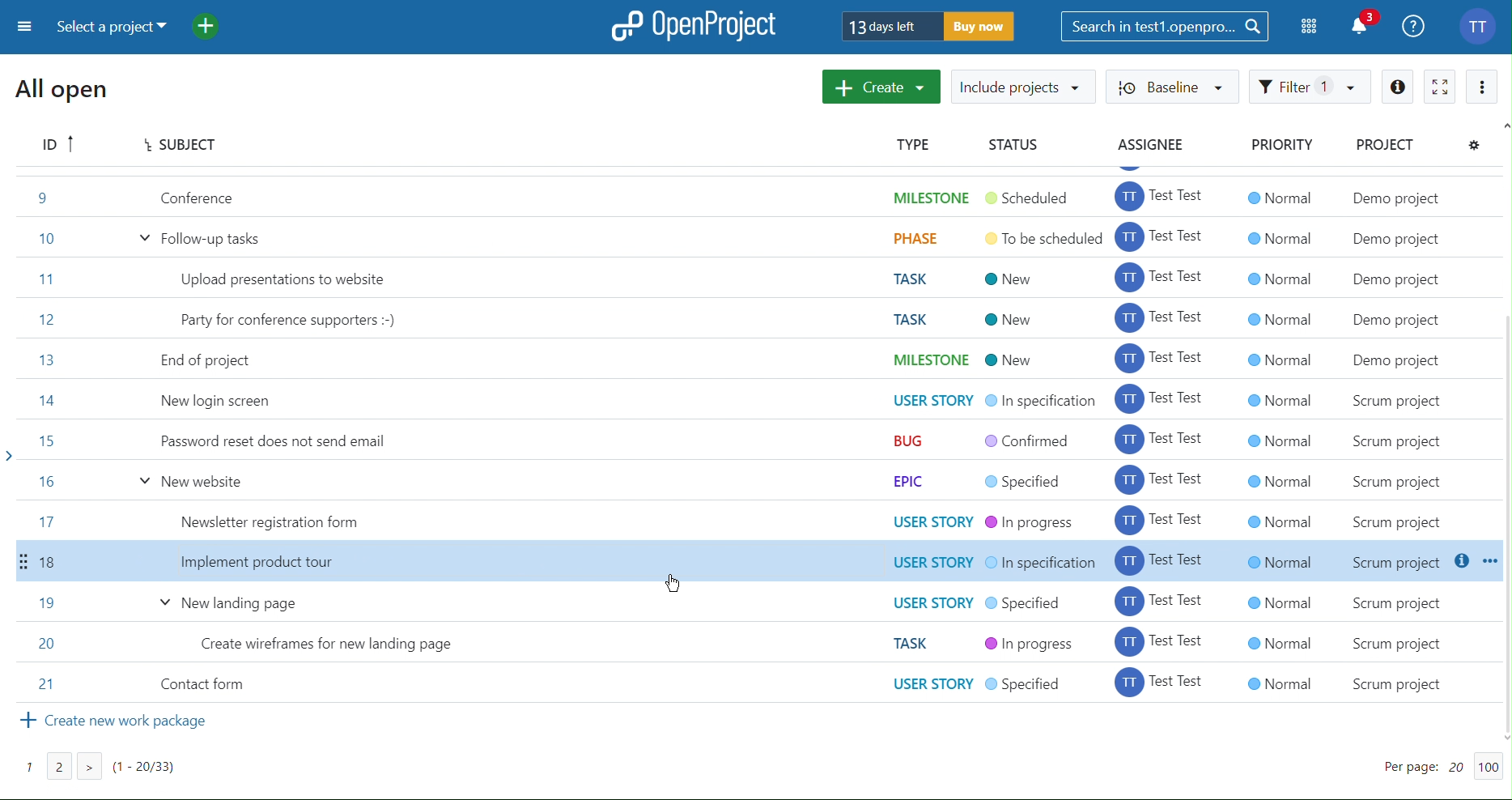 The width and height of the screenshot is (1512, 800). Describe the element at coordinates (1477, 146) in the screenshot. I see `Settings` at that location.